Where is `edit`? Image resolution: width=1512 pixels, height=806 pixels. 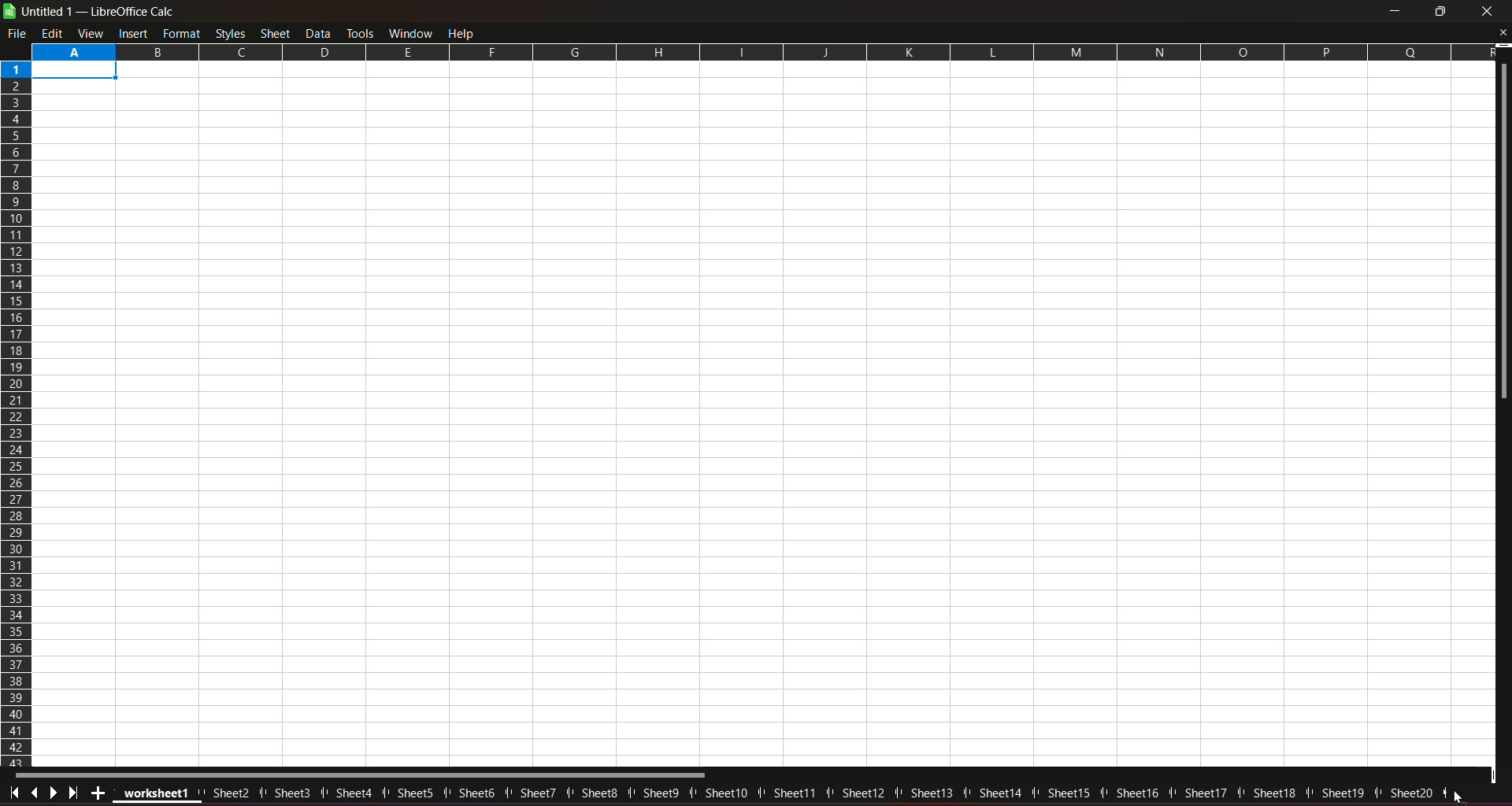 edit is located at coordinates (53, 33).